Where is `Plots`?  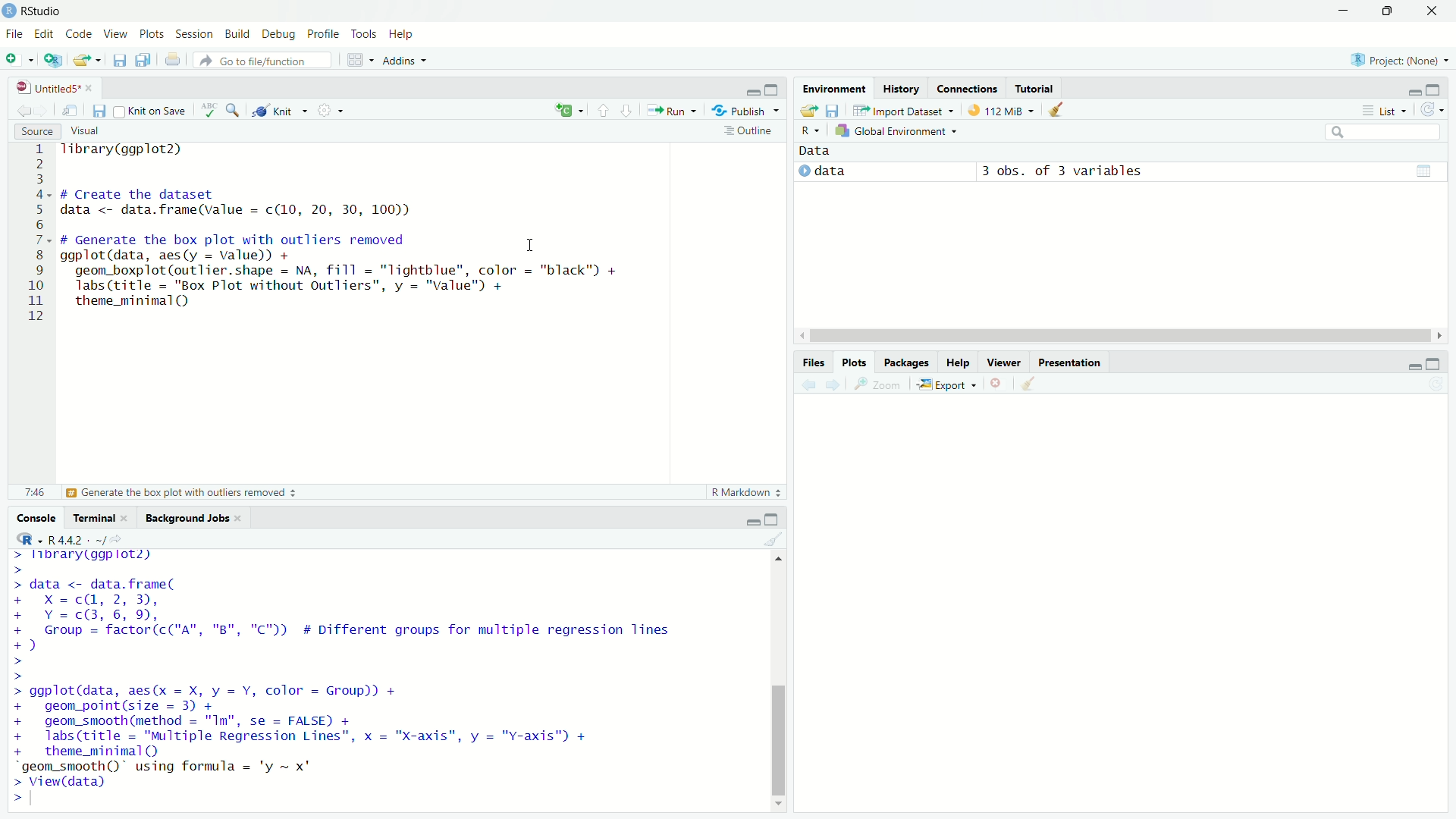
Plots is located at coordinates (849, 362).